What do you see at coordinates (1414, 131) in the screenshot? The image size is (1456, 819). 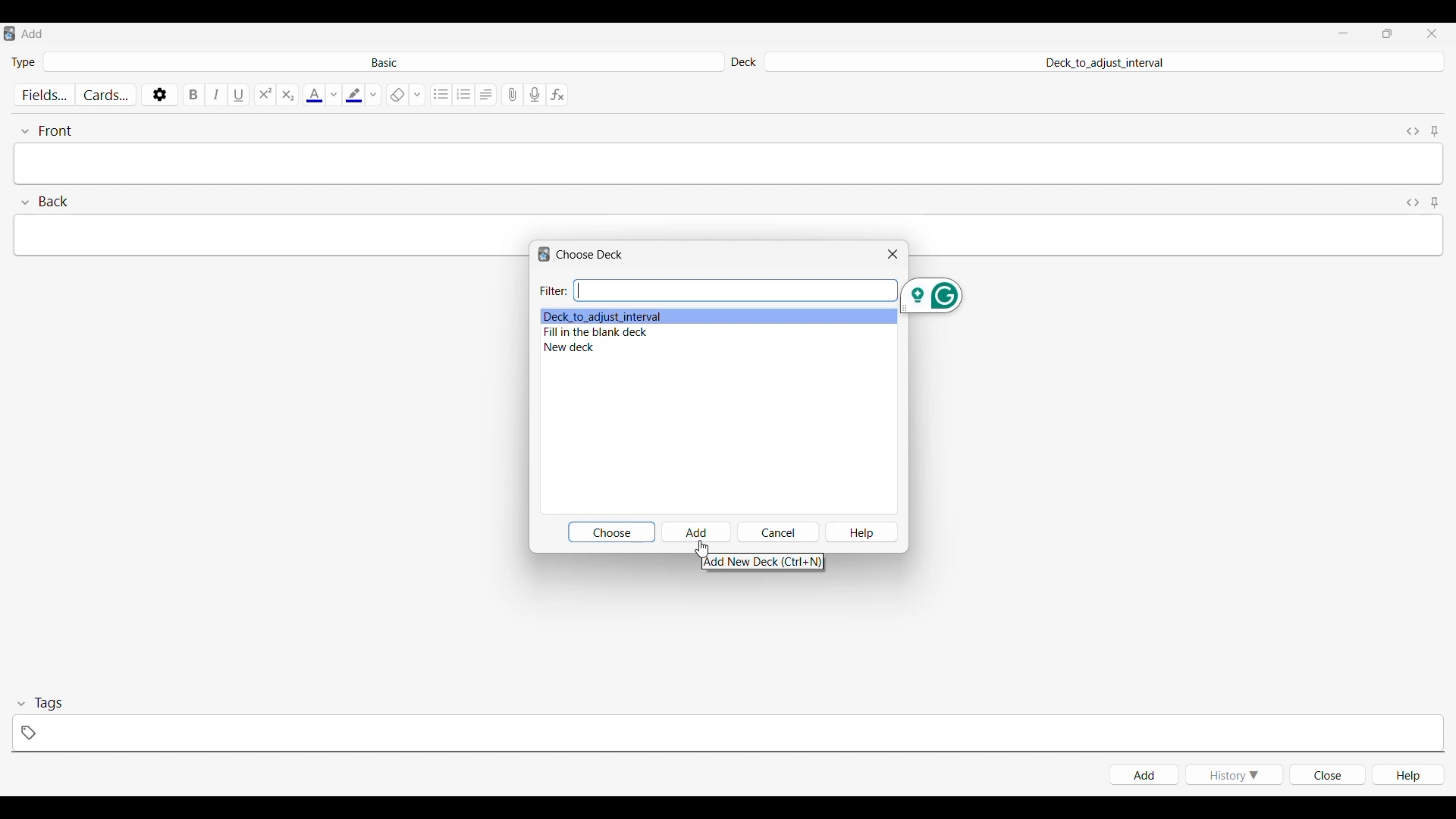 I see `Toggle HTML editor` at bounding box center [1414, 131].